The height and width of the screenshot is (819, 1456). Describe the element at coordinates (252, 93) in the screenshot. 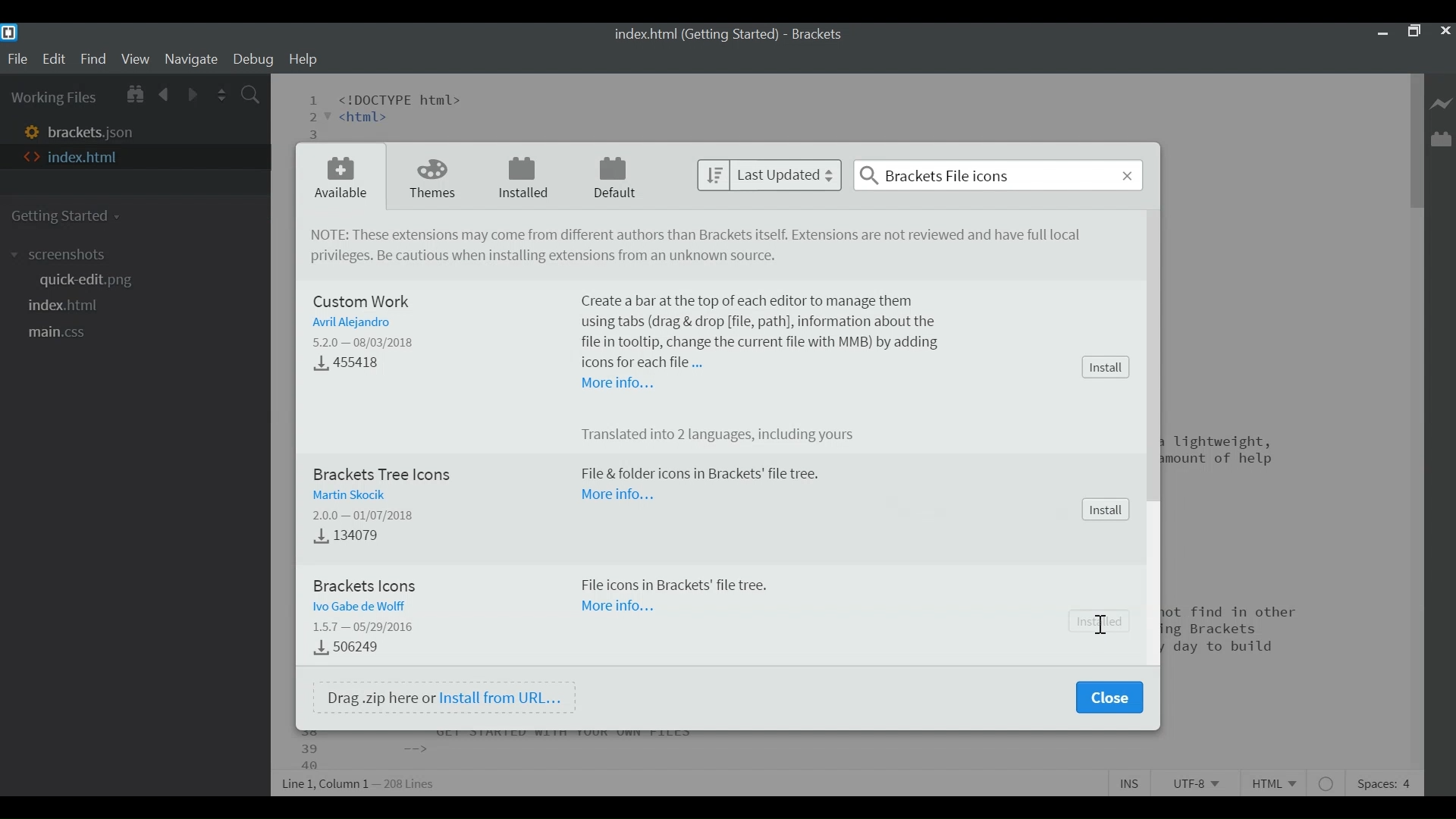

I see `Find In Files` at that location.